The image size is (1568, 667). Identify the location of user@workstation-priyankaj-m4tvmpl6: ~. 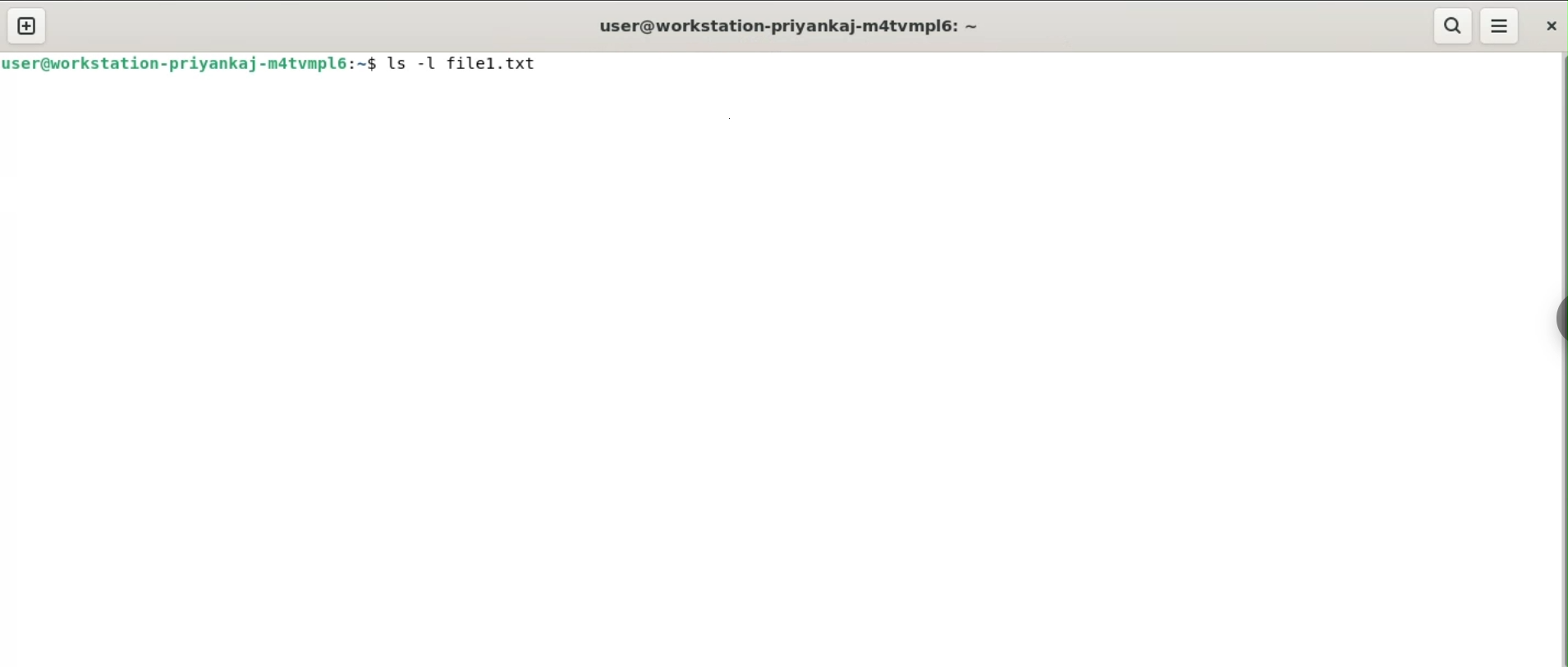
(786, 28).